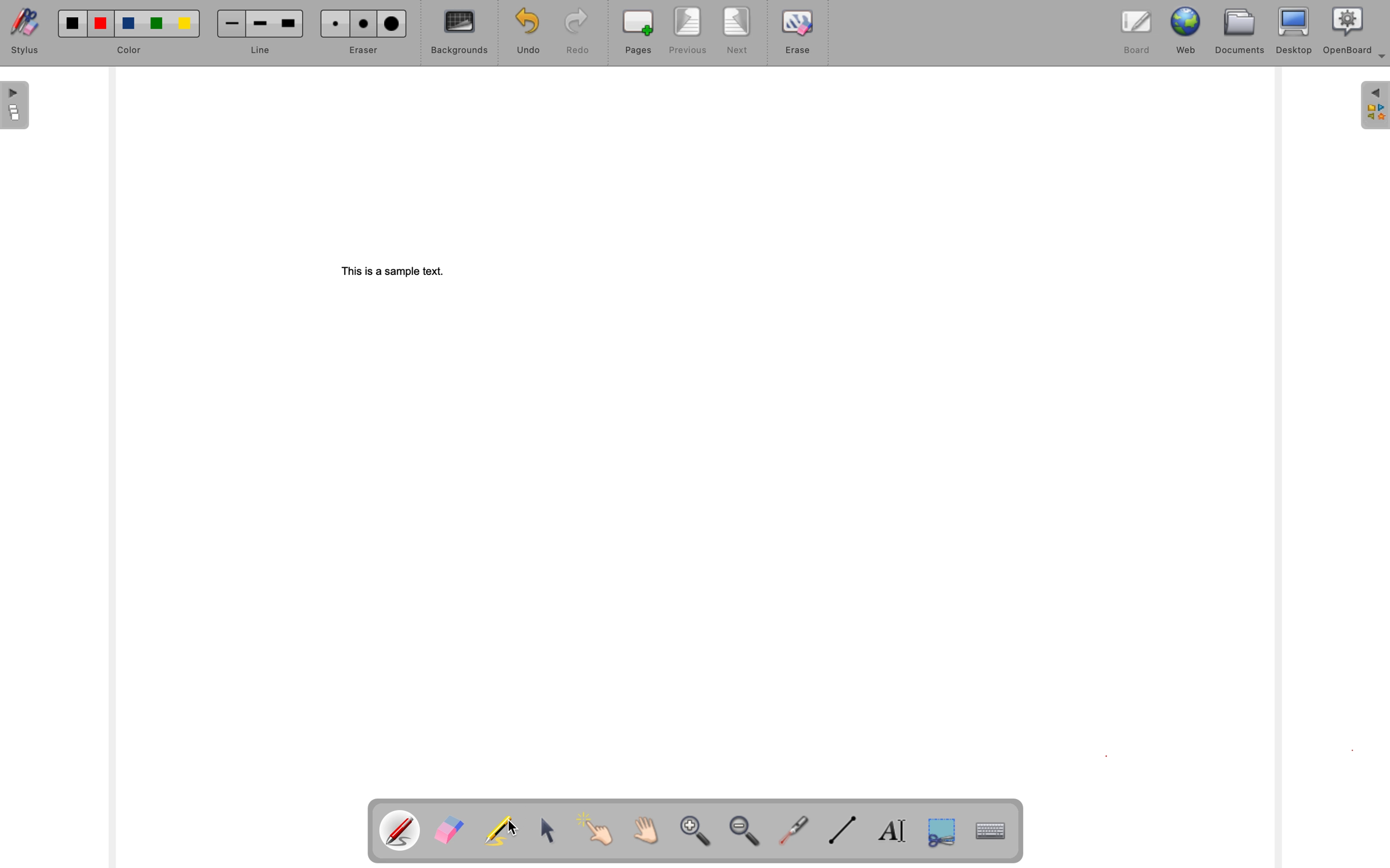 The width and height of the screenshot is (1390, 868). What do you see at coordinates (365, 25) in the screenshot?
I see `Medium eraser` at bounding box center [365, 25].